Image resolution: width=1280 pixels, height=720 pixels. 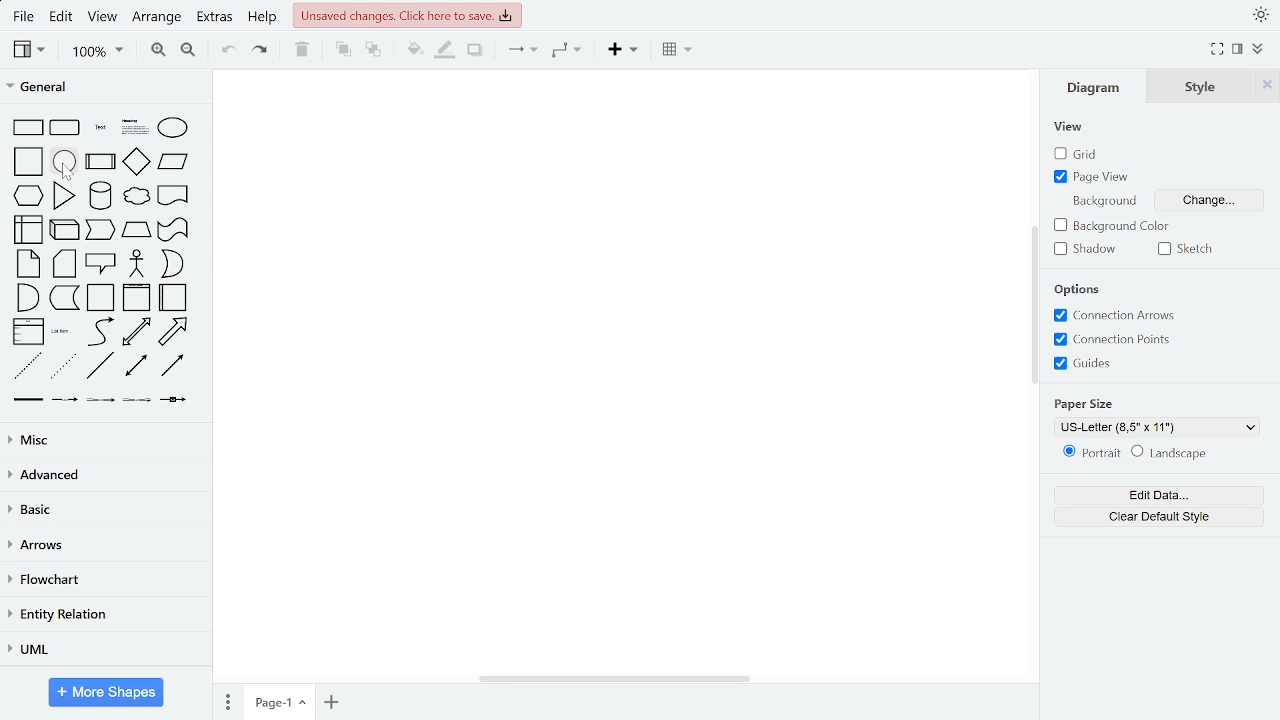 What do you see at coordinates (342, 50) in the screenshot?
I see `to front` at bounding box center [342, 50].